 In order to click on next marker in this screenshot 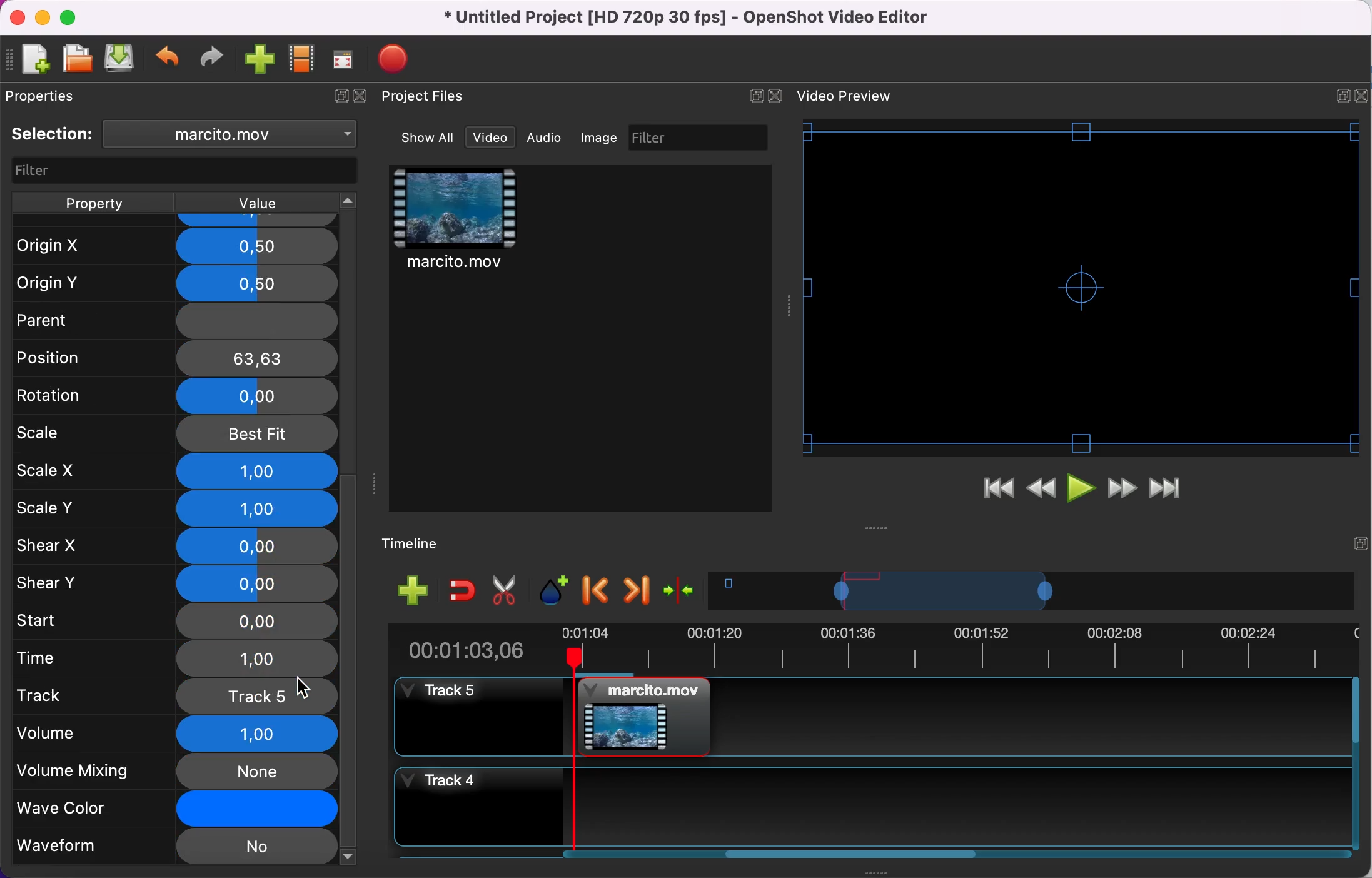, I will do `click(638, 590)`.